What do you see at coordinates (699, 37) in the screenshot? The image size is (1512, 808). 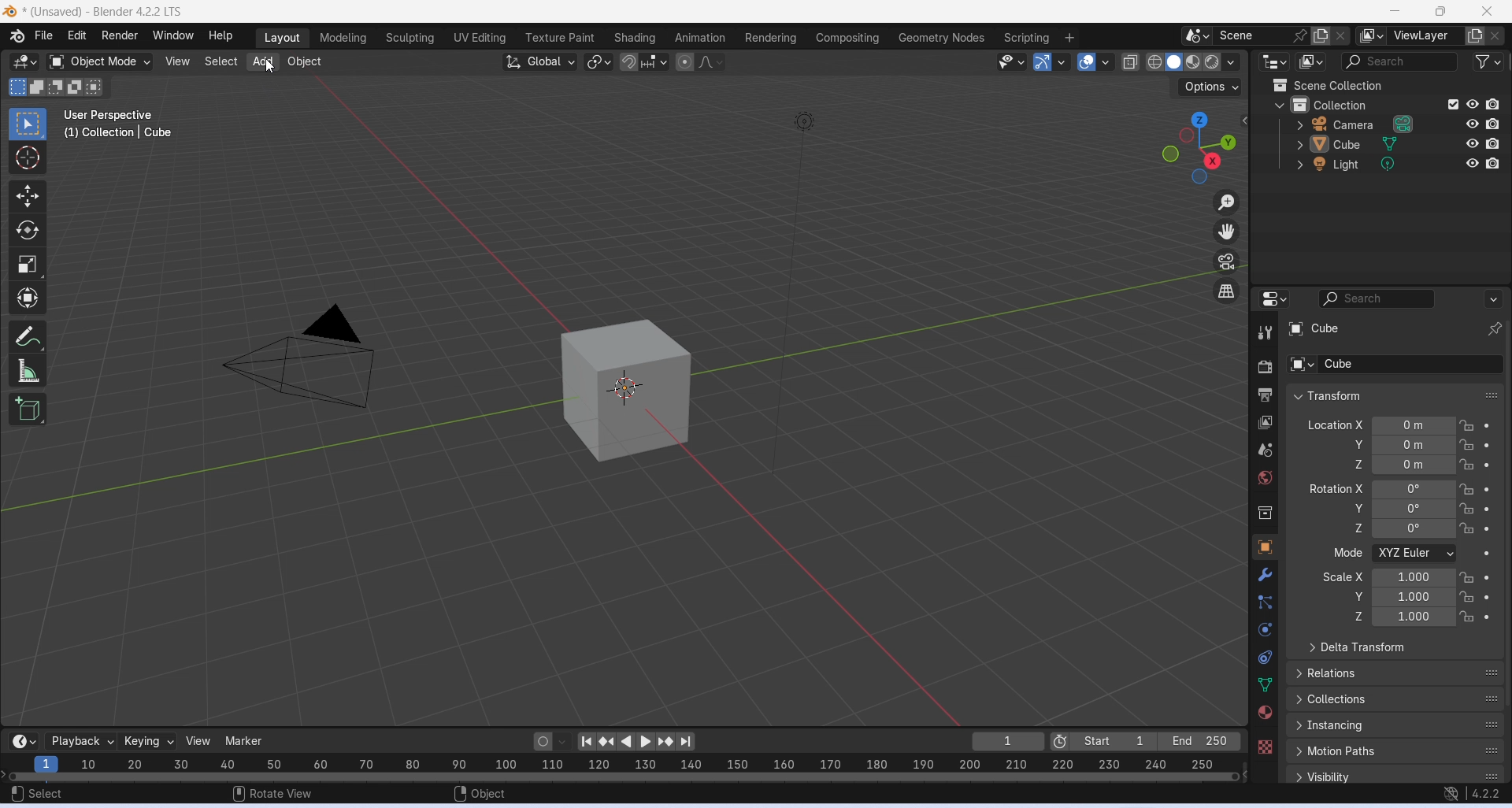 I see `Animation` at bounding box center [699, 37].